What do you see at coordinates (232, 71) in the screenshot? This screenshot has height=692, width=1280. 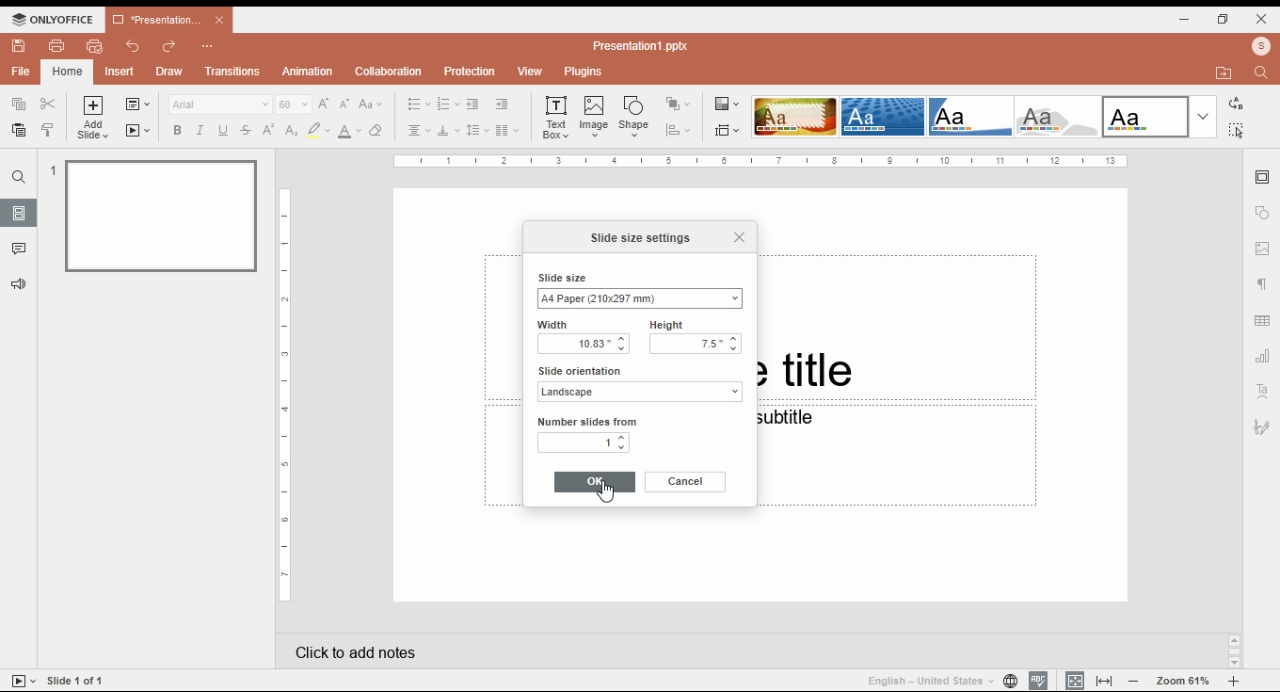 I see `transitions` at bounding box center [232, 71].